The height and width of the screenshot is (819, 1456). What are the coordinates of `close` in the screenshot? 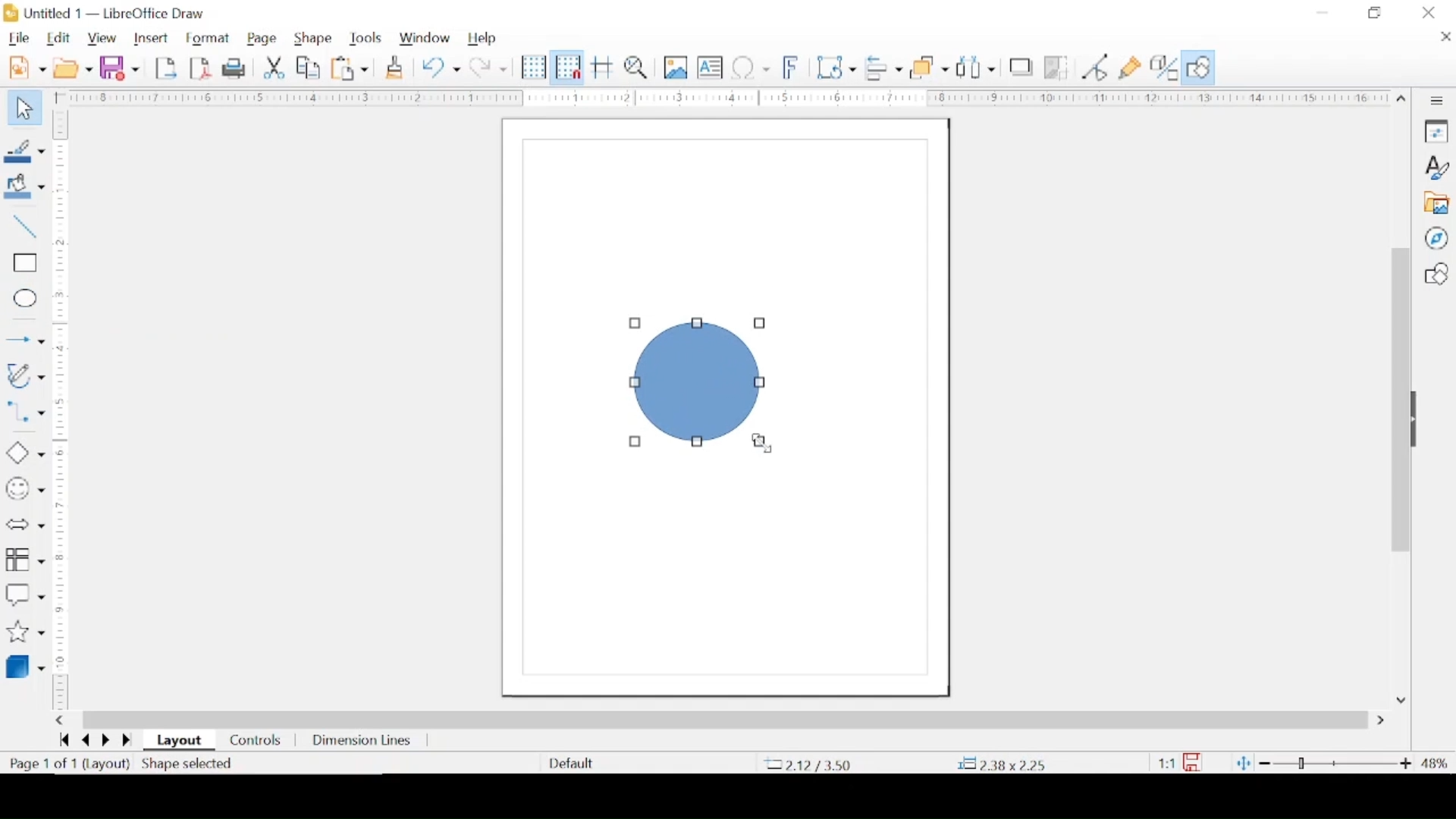 It's located at (1445, 38).